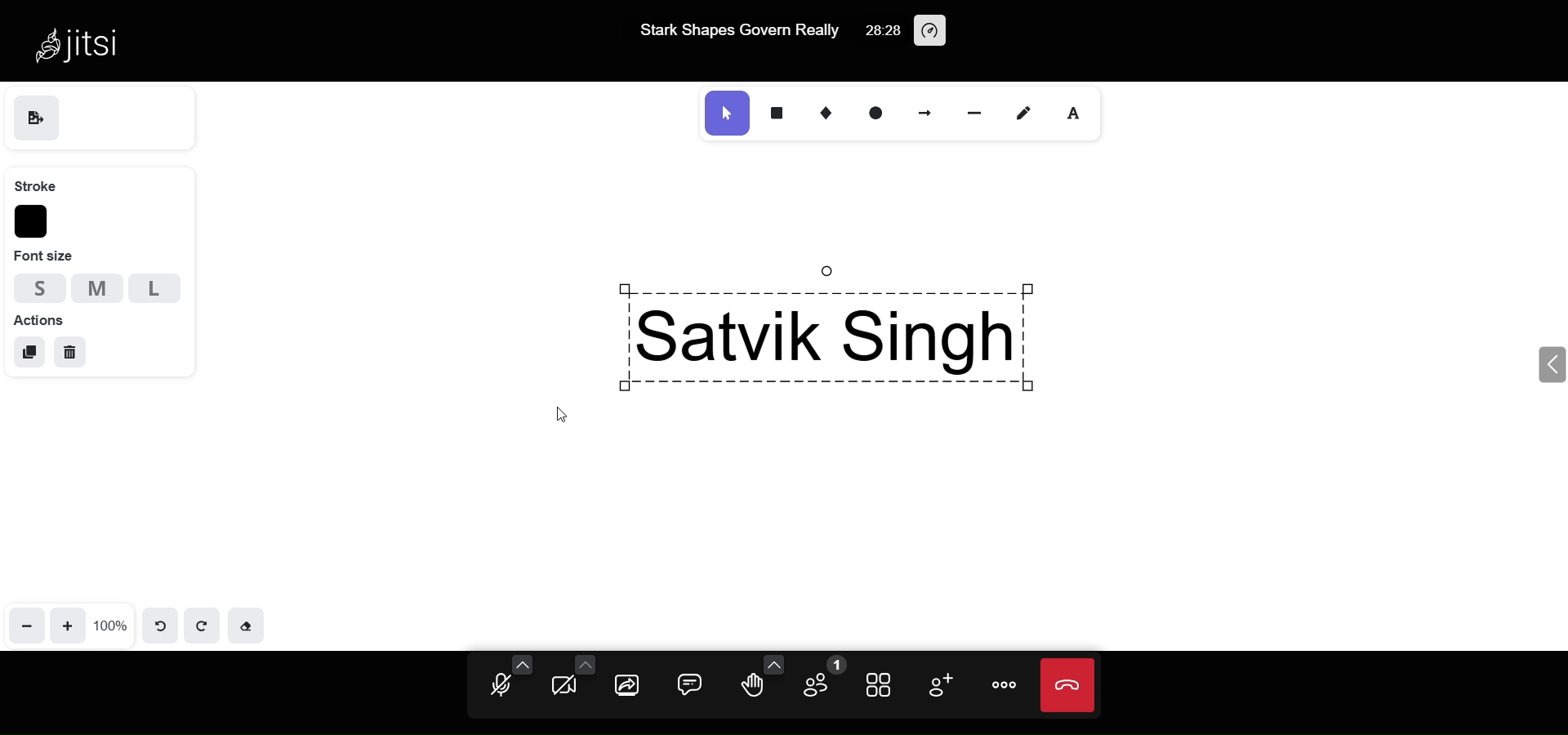  What do you see at coordinates (33, 222) in the screenshot?
I see `stroke color` at bounding box center [33, 222].